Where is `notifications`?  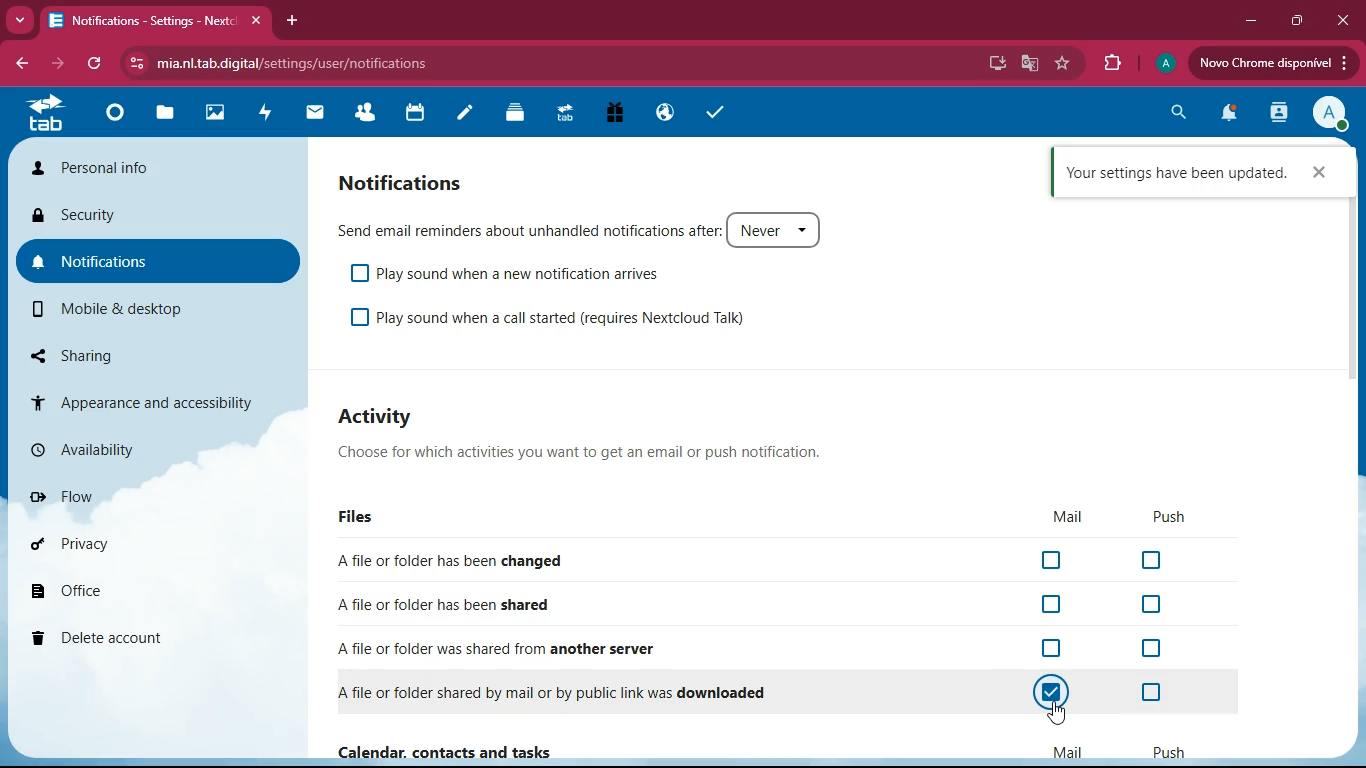
notifications is located at coordinates (409, 180).